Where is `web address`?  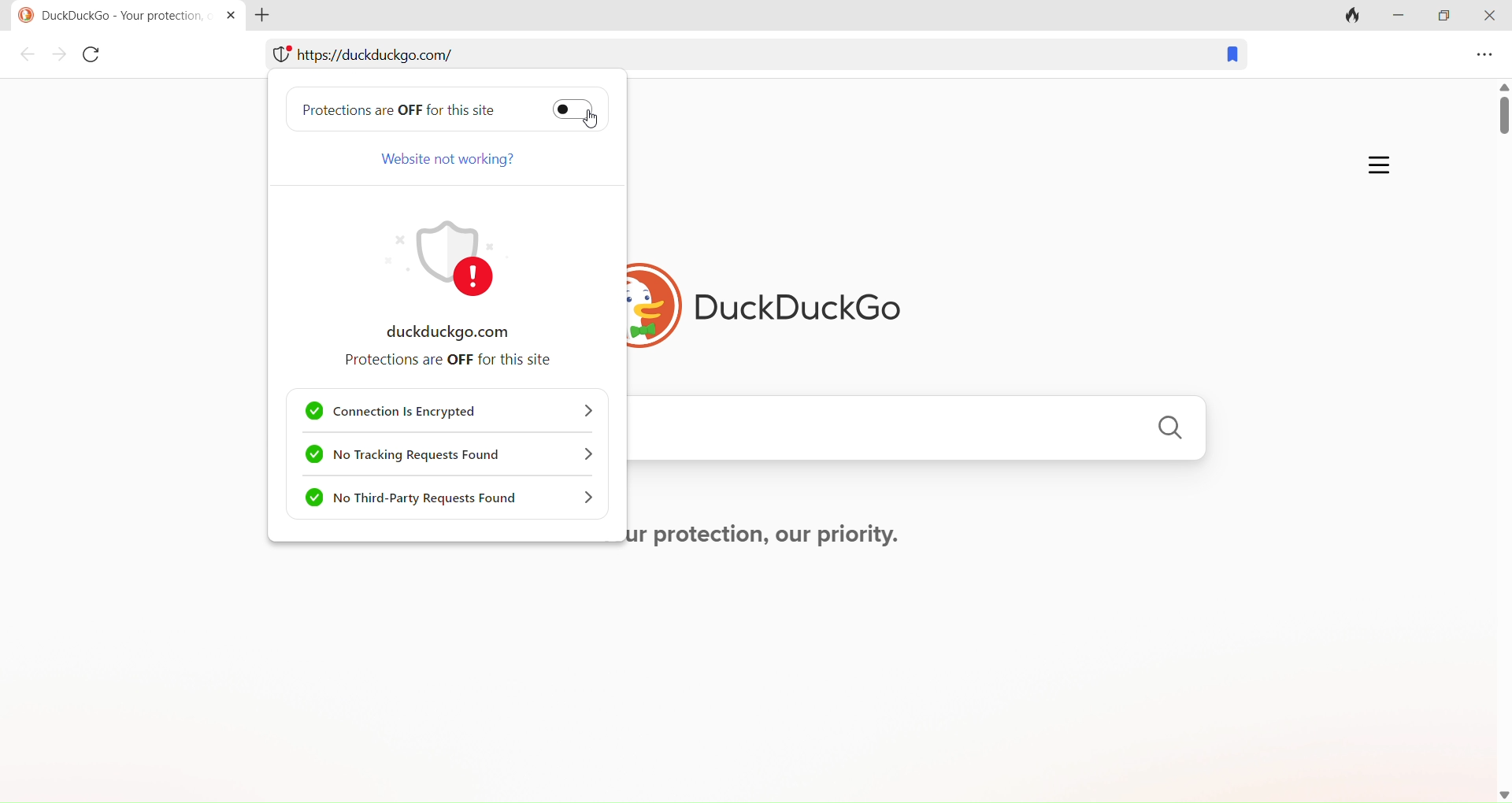
web address is located at coordinates (398, 61).